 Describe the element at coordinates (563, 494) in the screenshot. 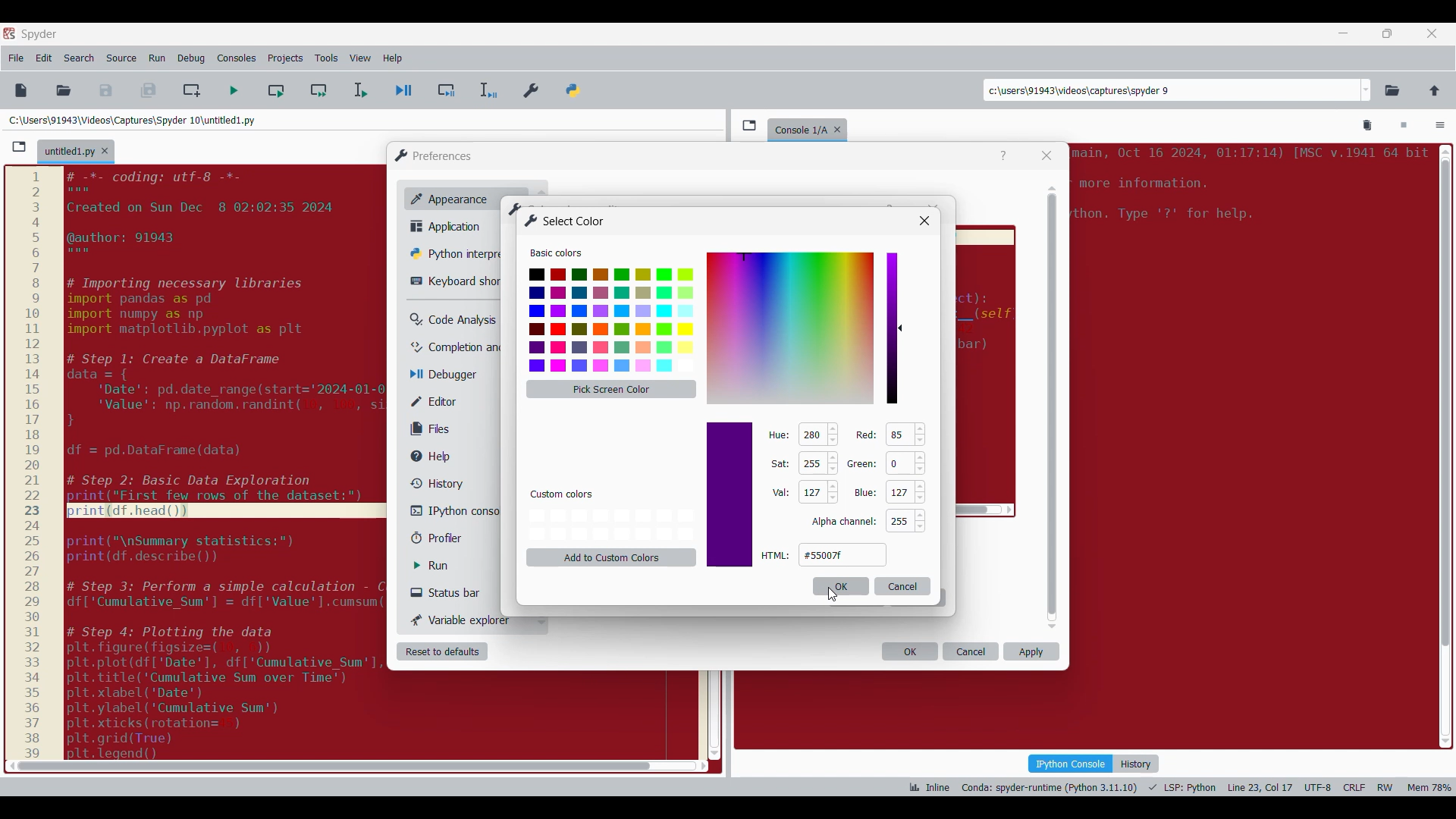

I see `Indicates custom color settings` at that location.